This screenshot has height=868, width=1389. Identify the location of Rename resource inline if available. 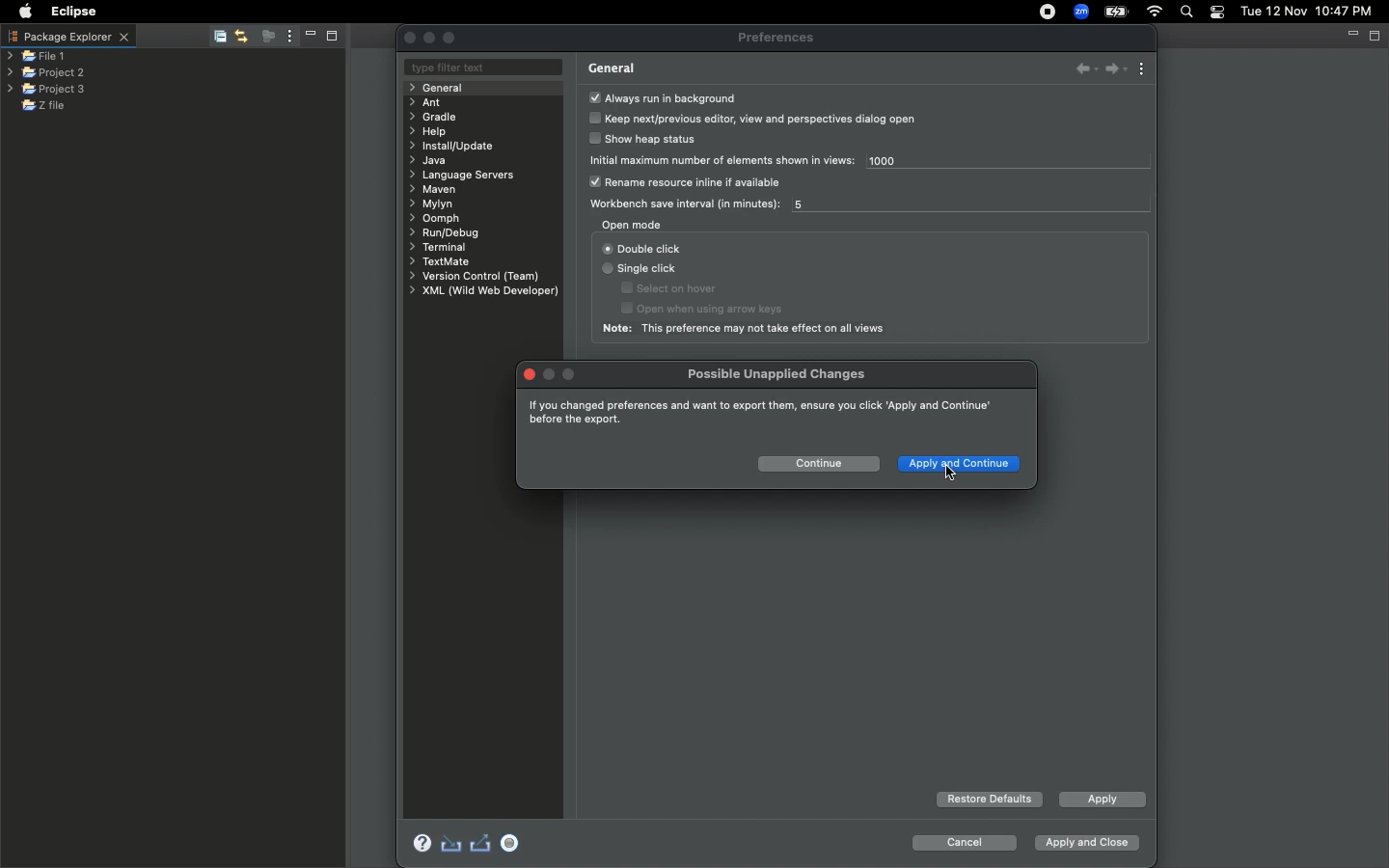
(693, 183).